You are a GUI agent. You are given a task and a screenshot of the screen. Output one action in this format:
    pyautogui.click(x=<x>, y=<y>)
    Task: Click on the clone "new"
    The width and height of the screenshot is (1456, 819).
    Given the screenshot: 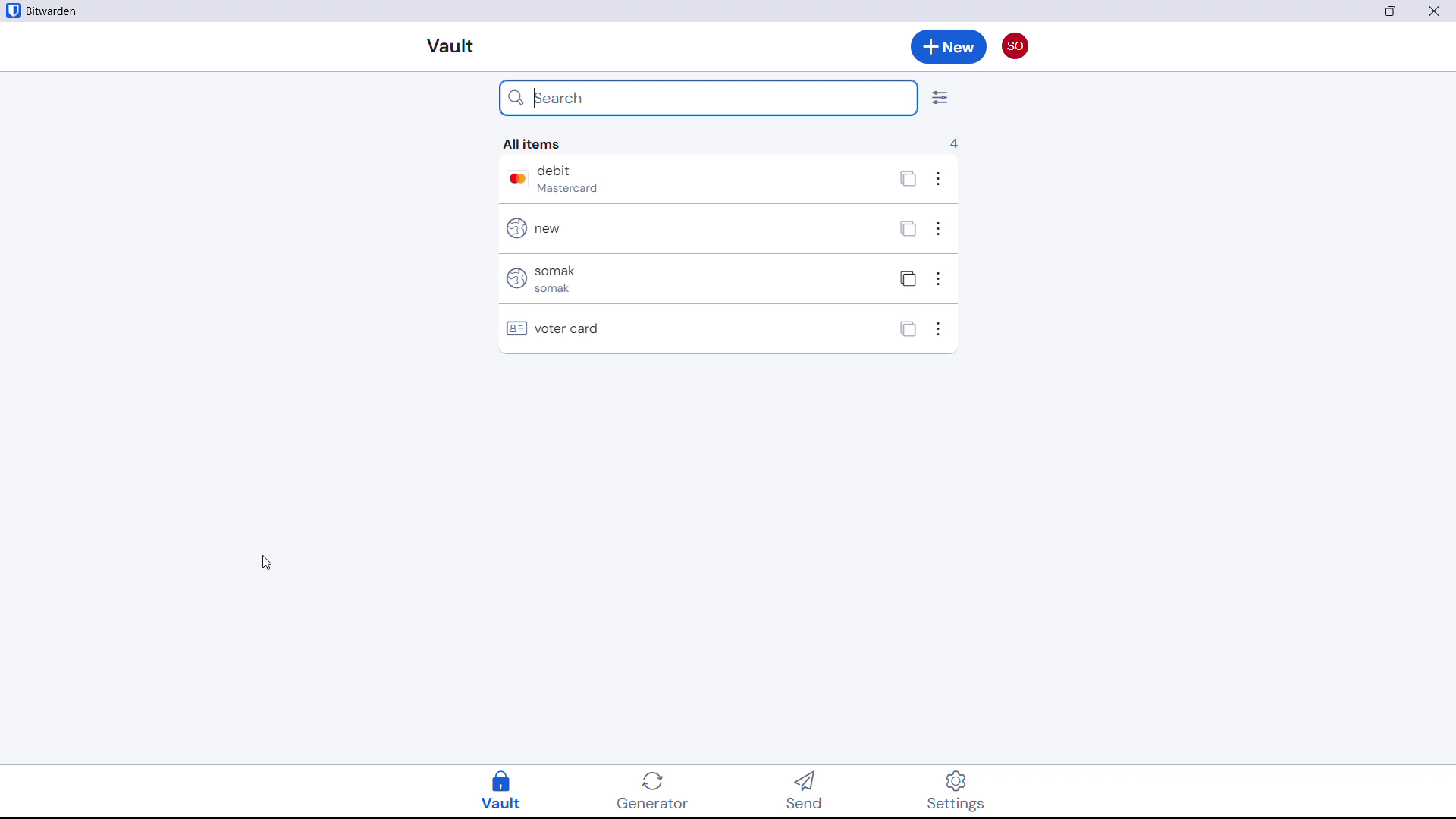 What is the action you would take?
    pyautogui.click(x=906, y=229)
    